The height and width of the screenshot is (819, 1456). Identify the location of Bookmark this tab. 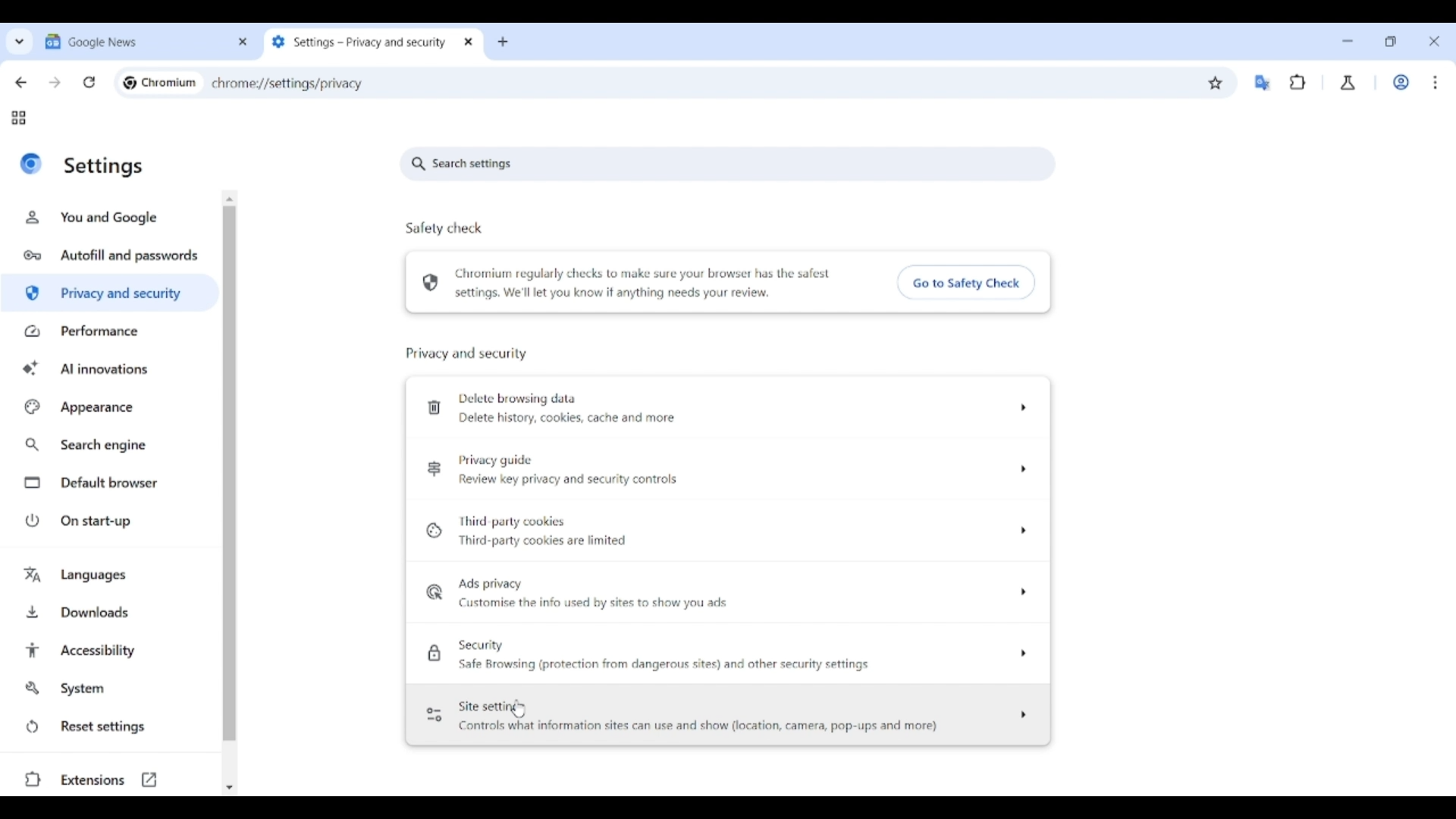
(1216, 83).